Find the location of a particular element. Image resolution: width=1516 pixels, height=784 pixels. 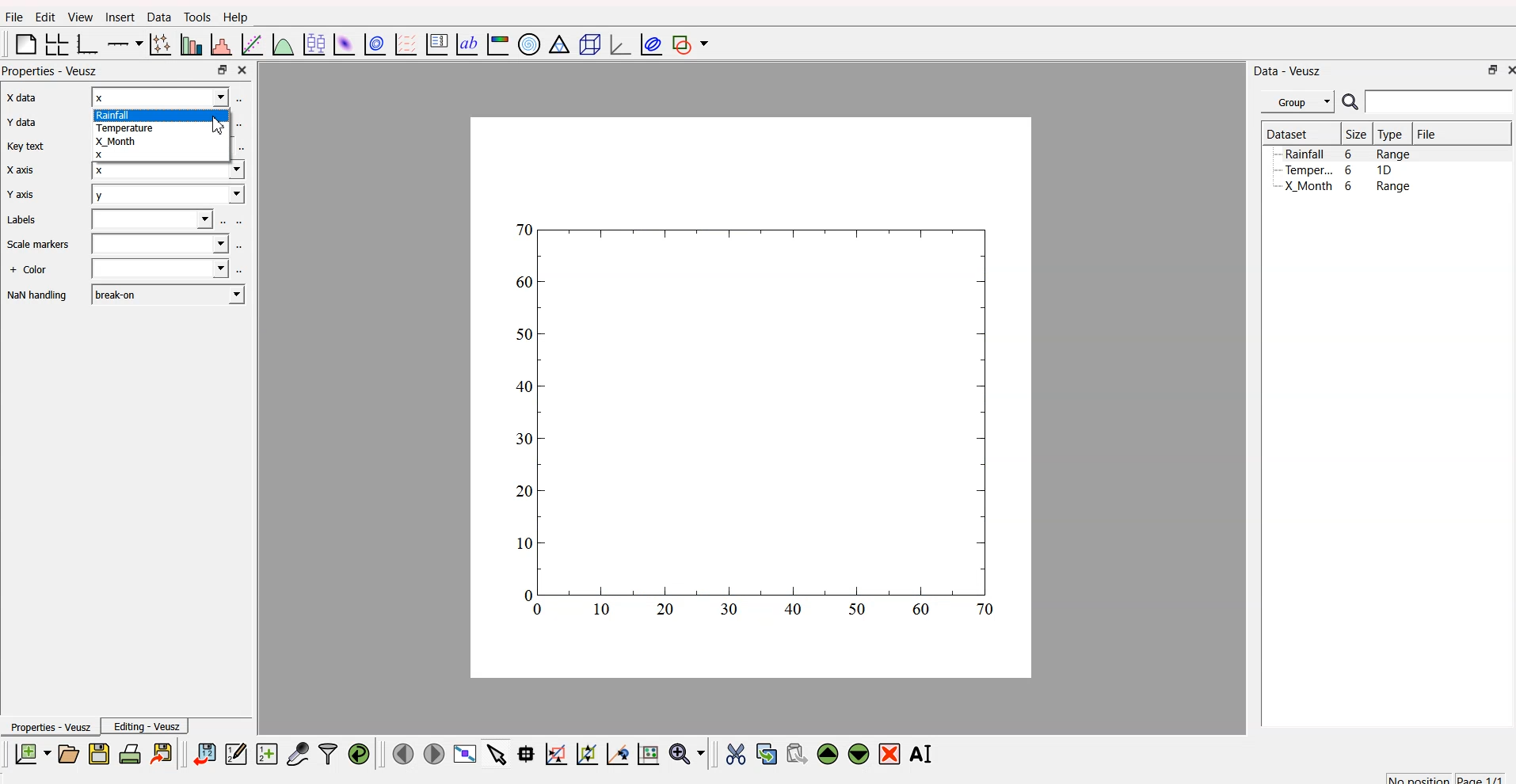

plot data is located at coordinates (373, 44).